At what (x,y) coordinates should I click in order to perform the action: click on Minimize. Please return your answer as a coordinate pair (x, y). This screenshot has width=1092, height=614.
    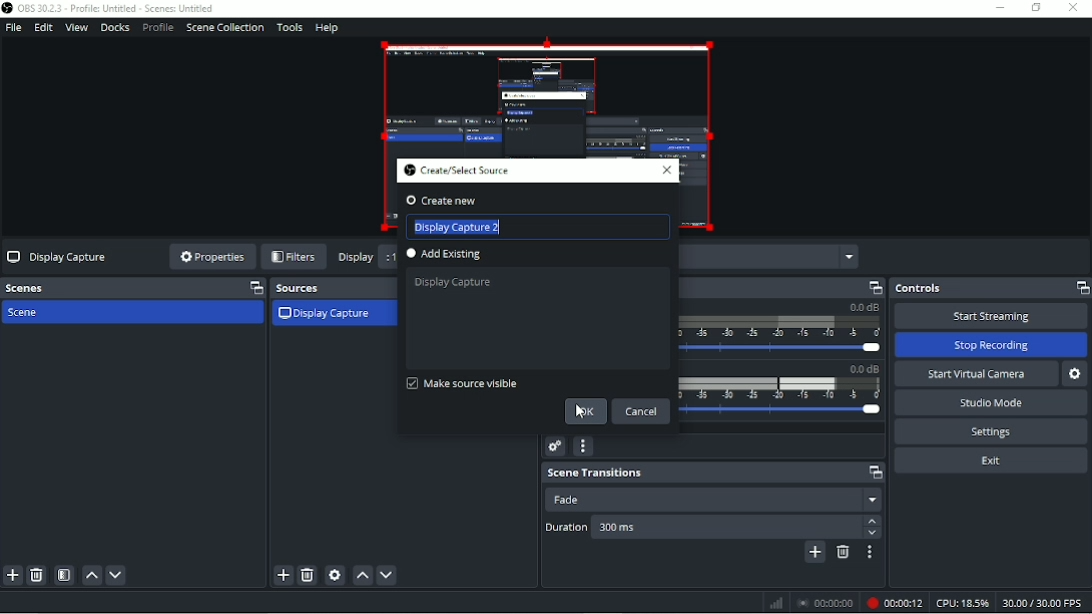
    Looking at the image, I should click on (1000, 8).